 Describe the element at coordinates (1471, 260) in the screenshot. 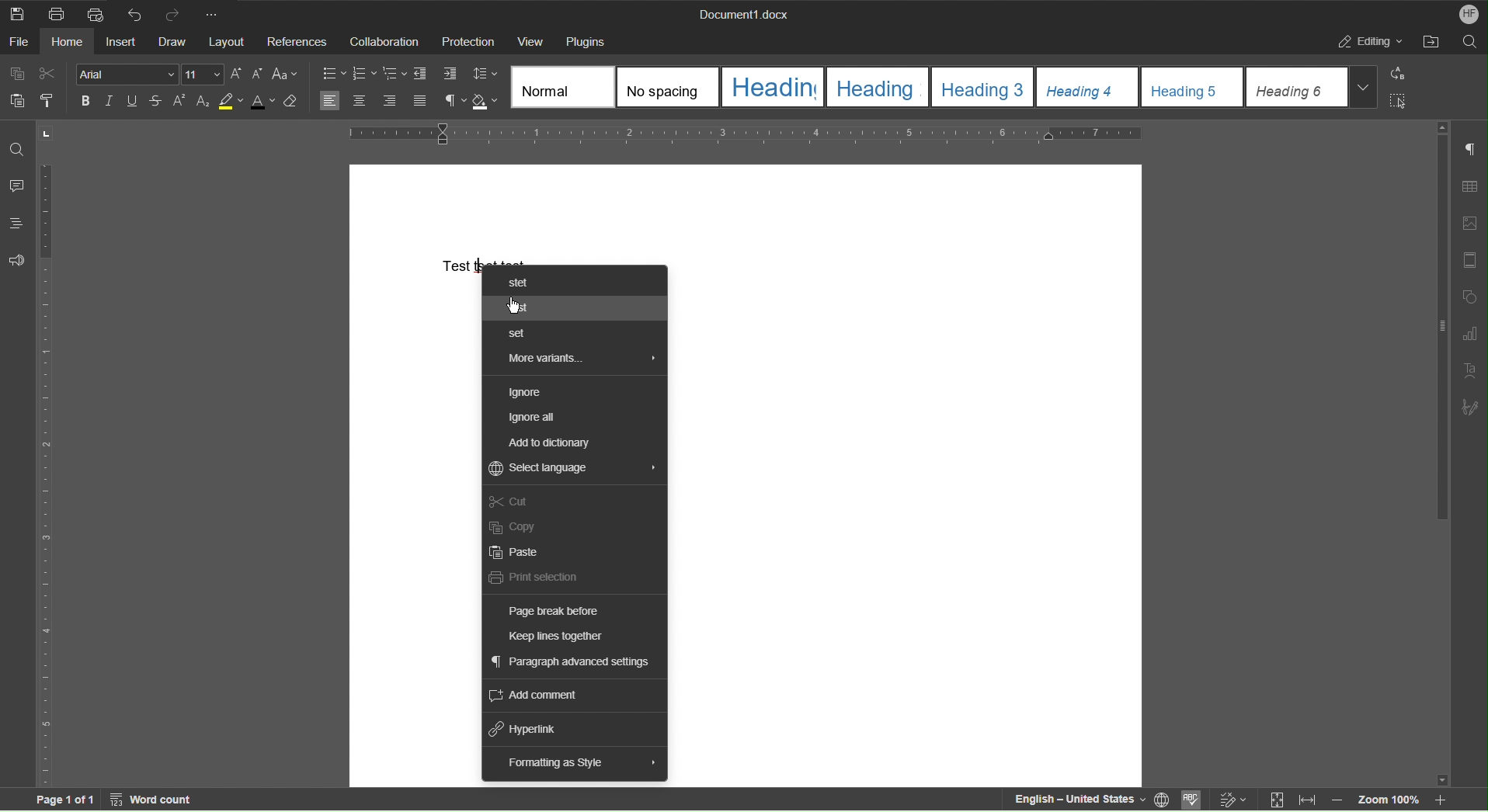

I see `Header/Footer` at that location.